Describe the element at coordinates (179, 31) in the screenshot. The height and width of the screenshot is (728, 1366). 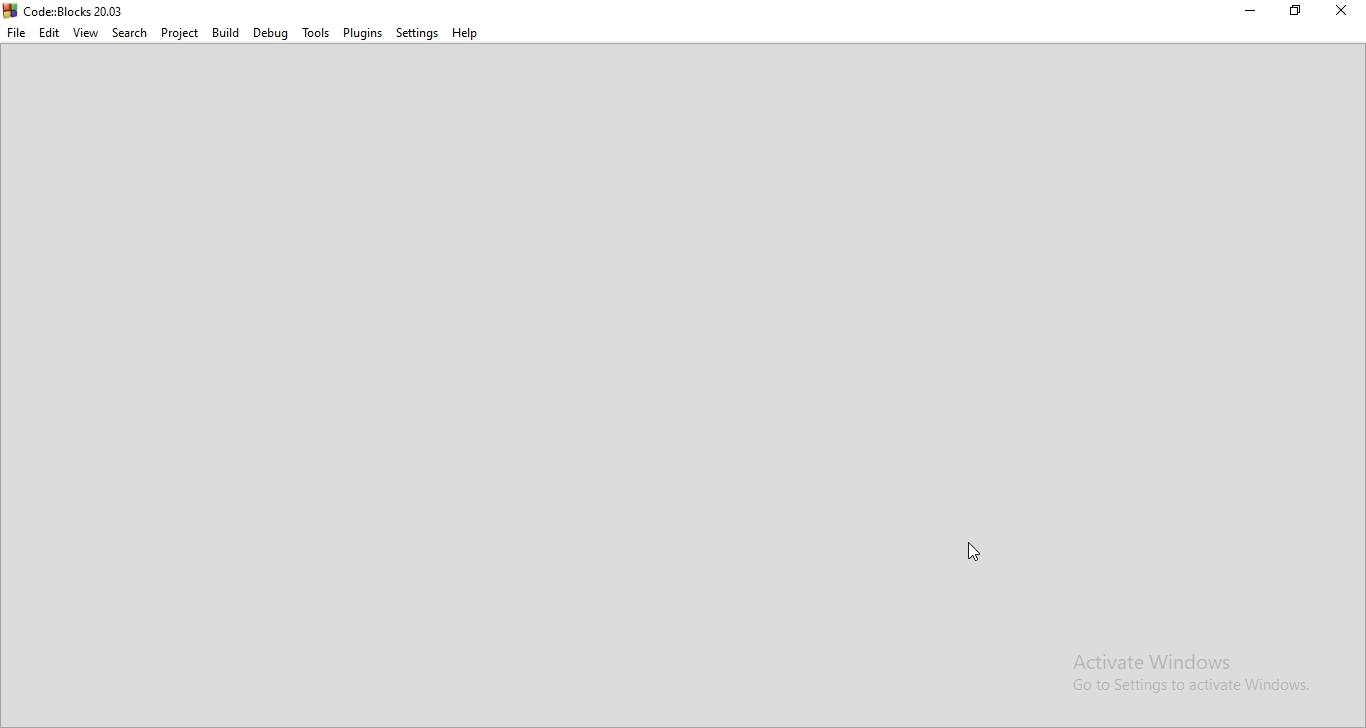
I see `Project ` at that location.